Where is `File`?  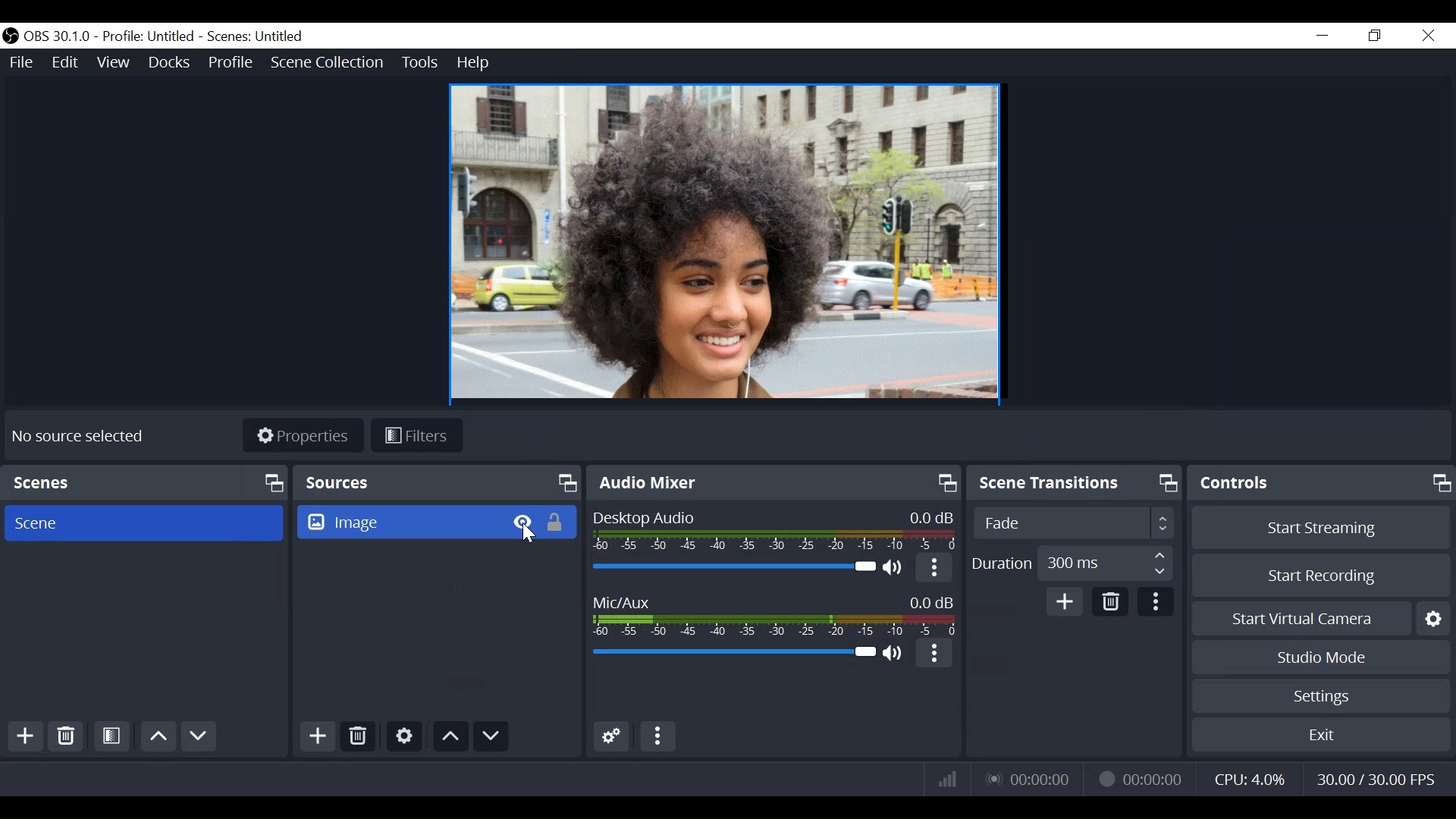
File is located at coordinates (20, 60).